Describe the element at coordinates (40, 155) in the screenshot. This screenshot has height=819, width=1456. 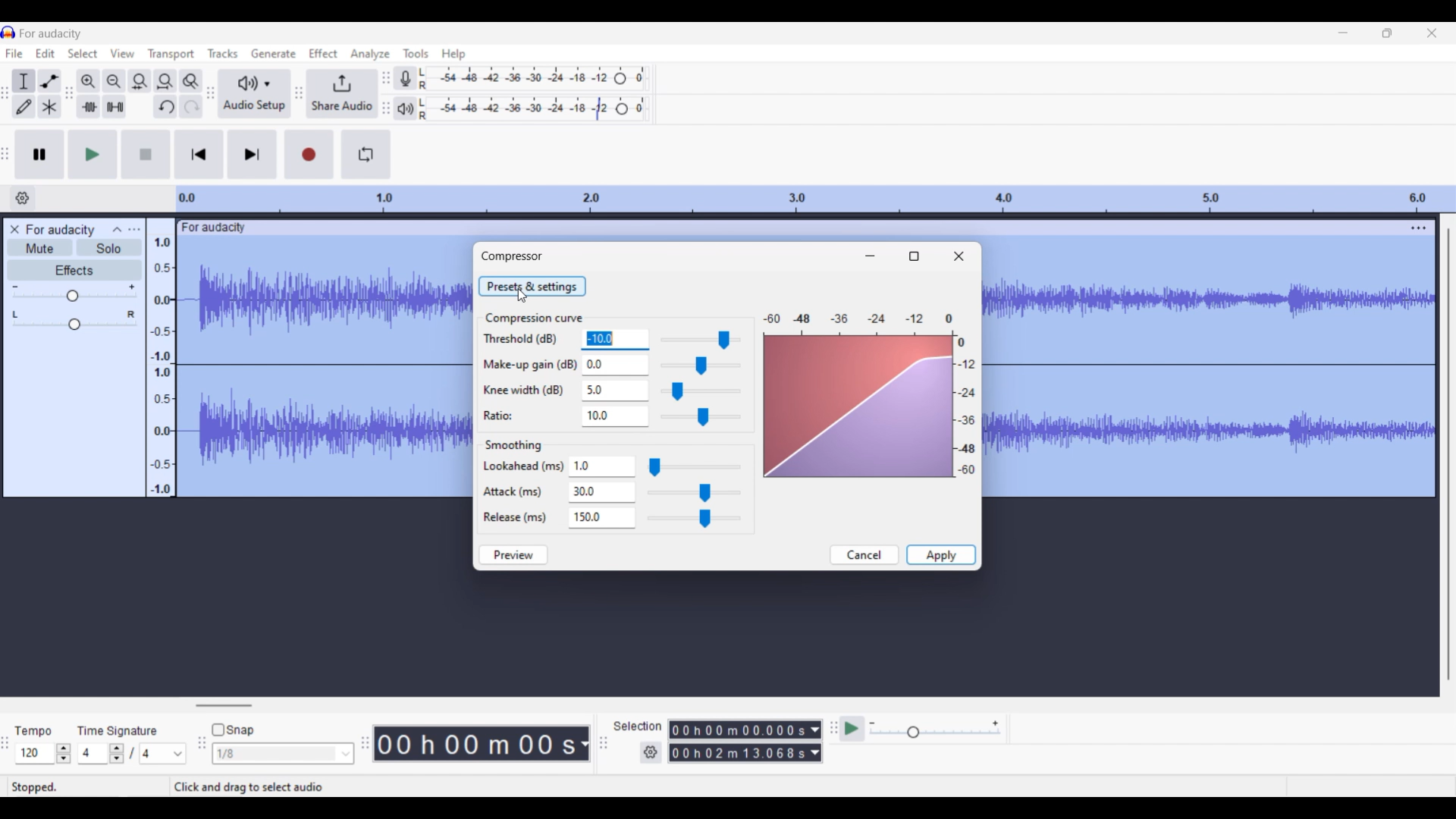
I see `Pause` at that location.